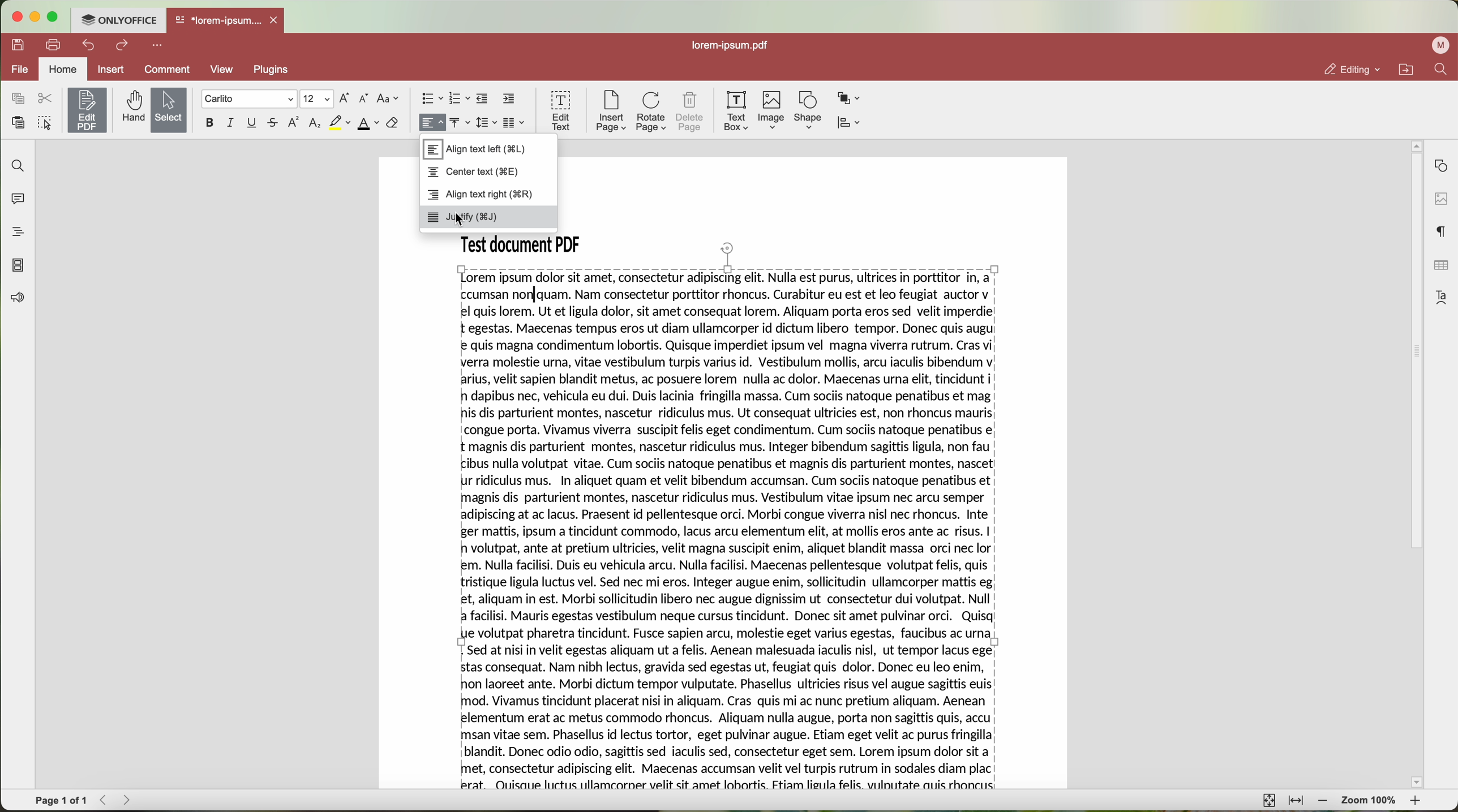 This screenshot has width=1458, height=812. Describe the element at coordinates (525, 242) in the screenshot. I see `Test document PDF` at that location.